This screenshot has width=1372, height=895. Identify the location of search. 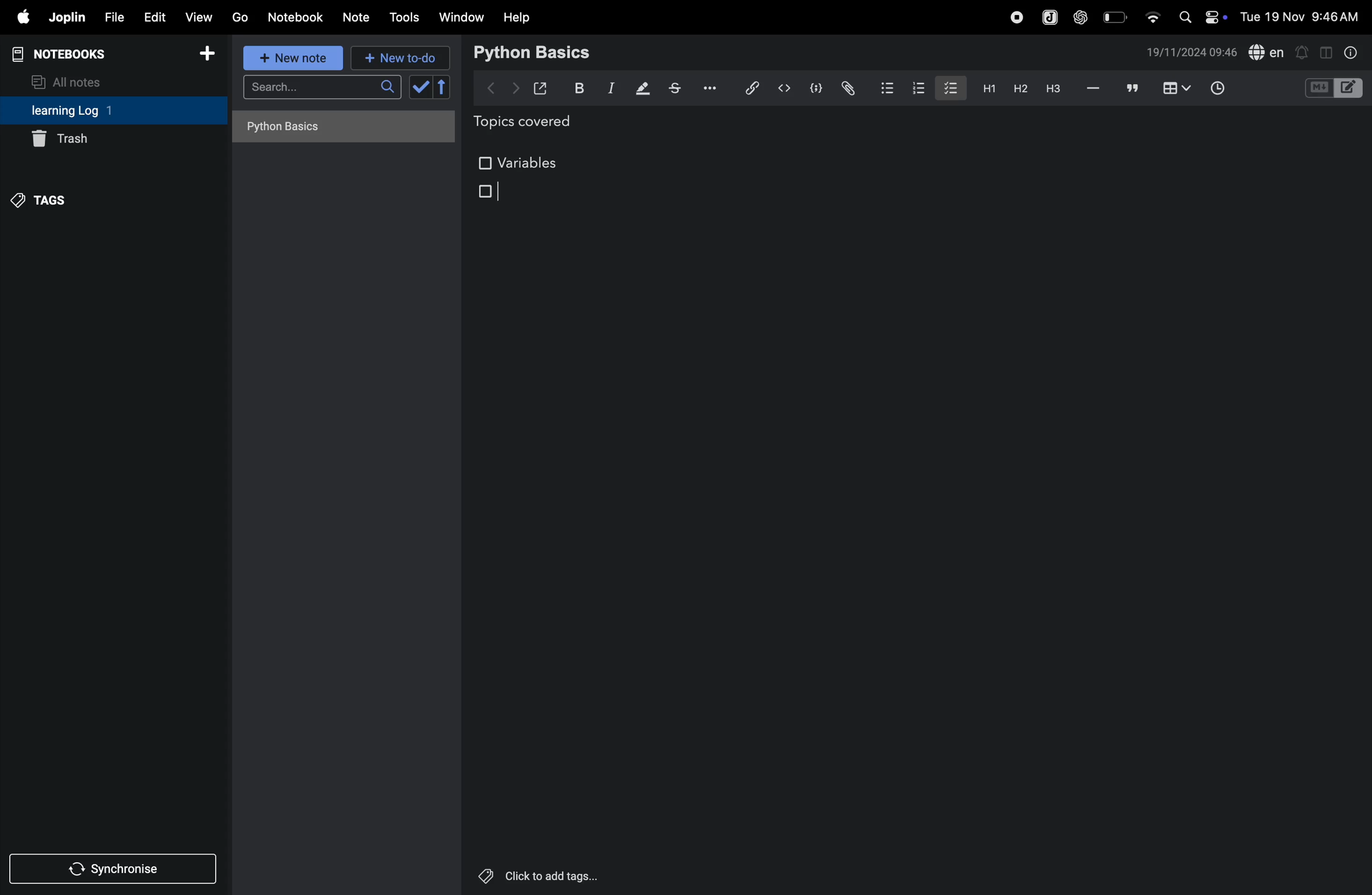
(322, 91).